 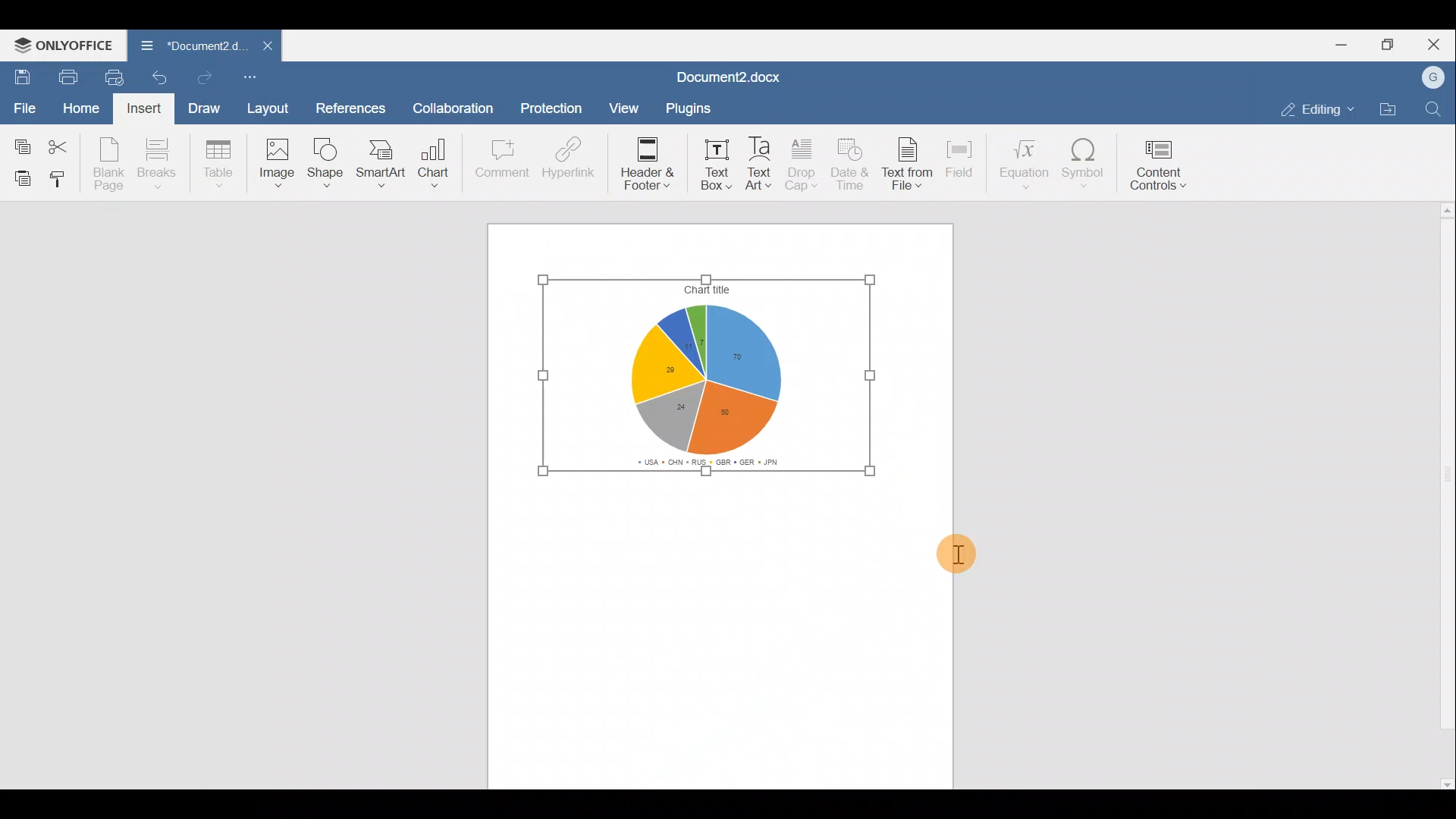 What do you see at coordinates (551, 111) in the screenshot?
I see `Protection` at bounding box center [551, 111].